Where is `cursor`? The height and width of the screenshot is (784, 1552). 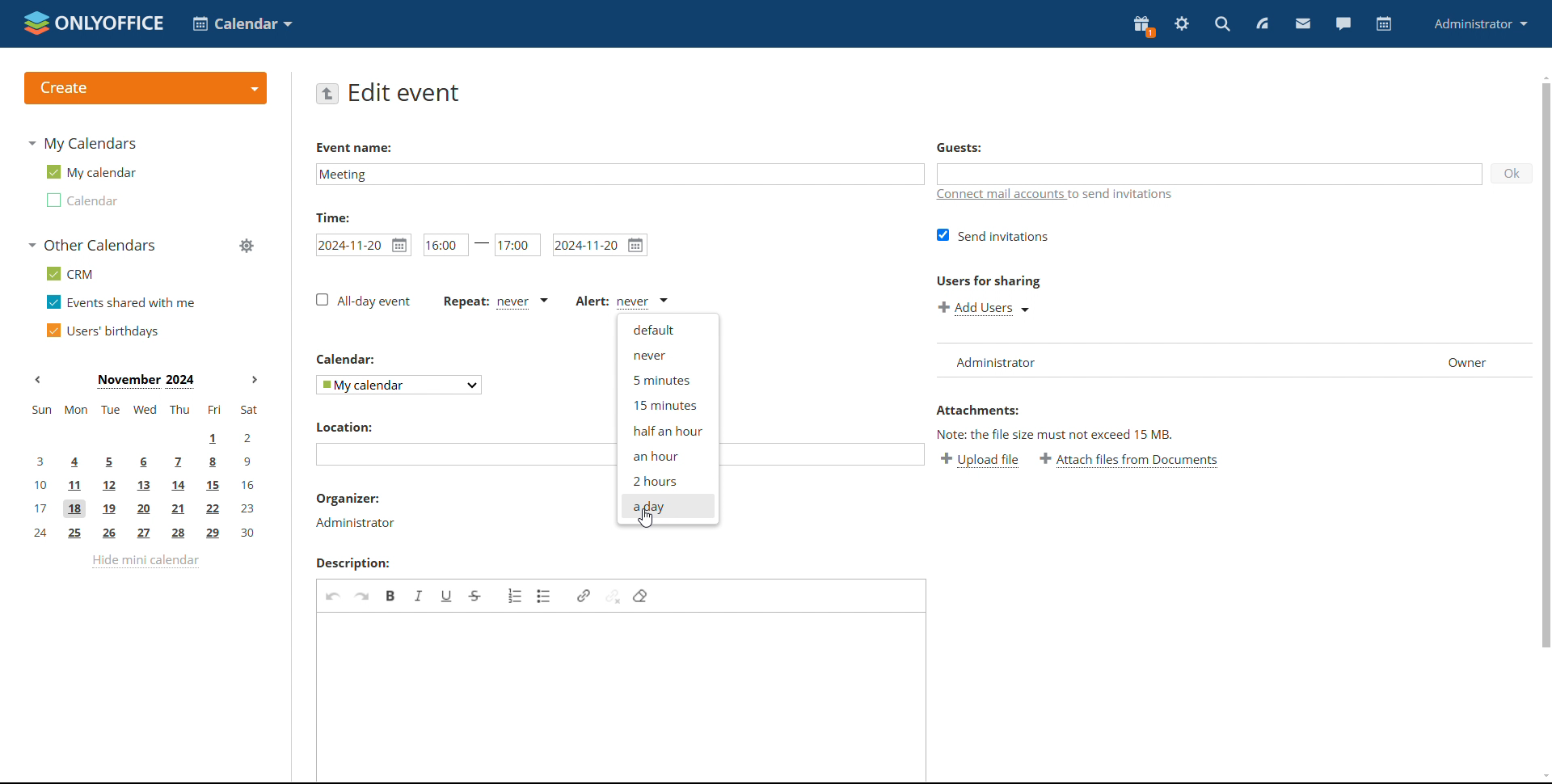 cursor is located at coordinates (647, 519).